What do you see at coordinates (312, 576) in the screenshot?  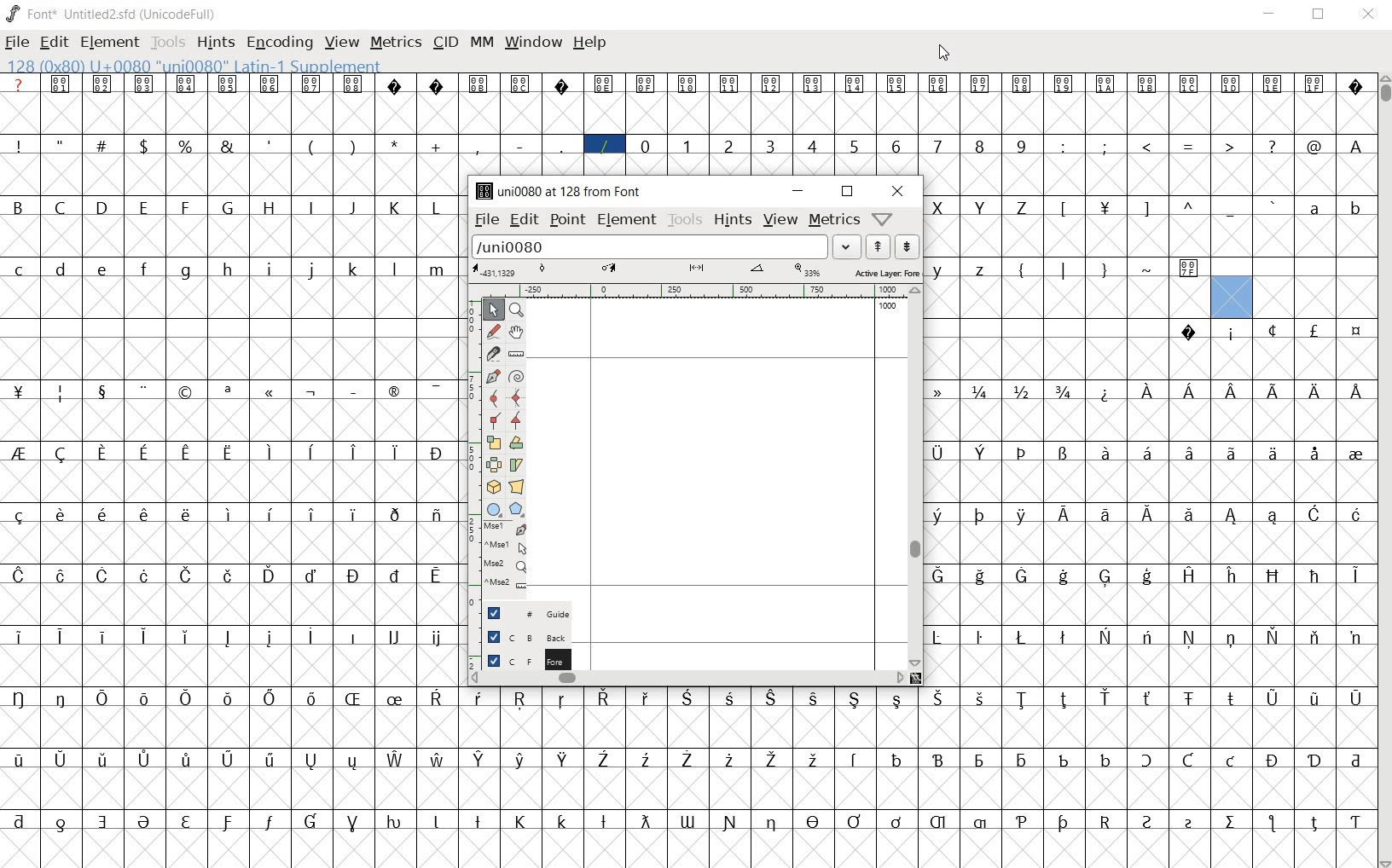 I see `glyph` at bounding box center [312, 576].